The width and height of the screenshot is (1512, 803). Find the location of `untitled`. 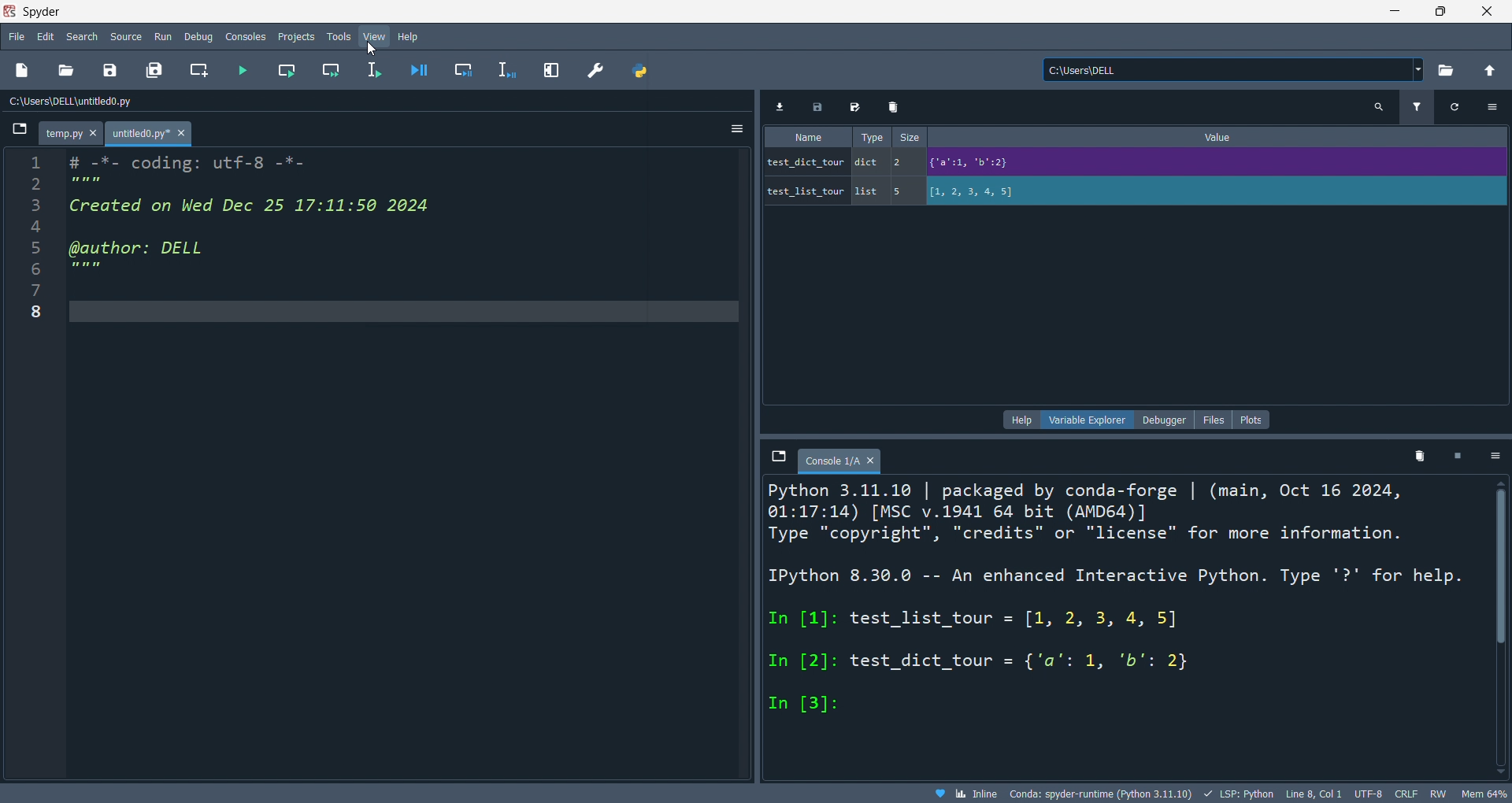

untitled is located at coordinates (151, 135).